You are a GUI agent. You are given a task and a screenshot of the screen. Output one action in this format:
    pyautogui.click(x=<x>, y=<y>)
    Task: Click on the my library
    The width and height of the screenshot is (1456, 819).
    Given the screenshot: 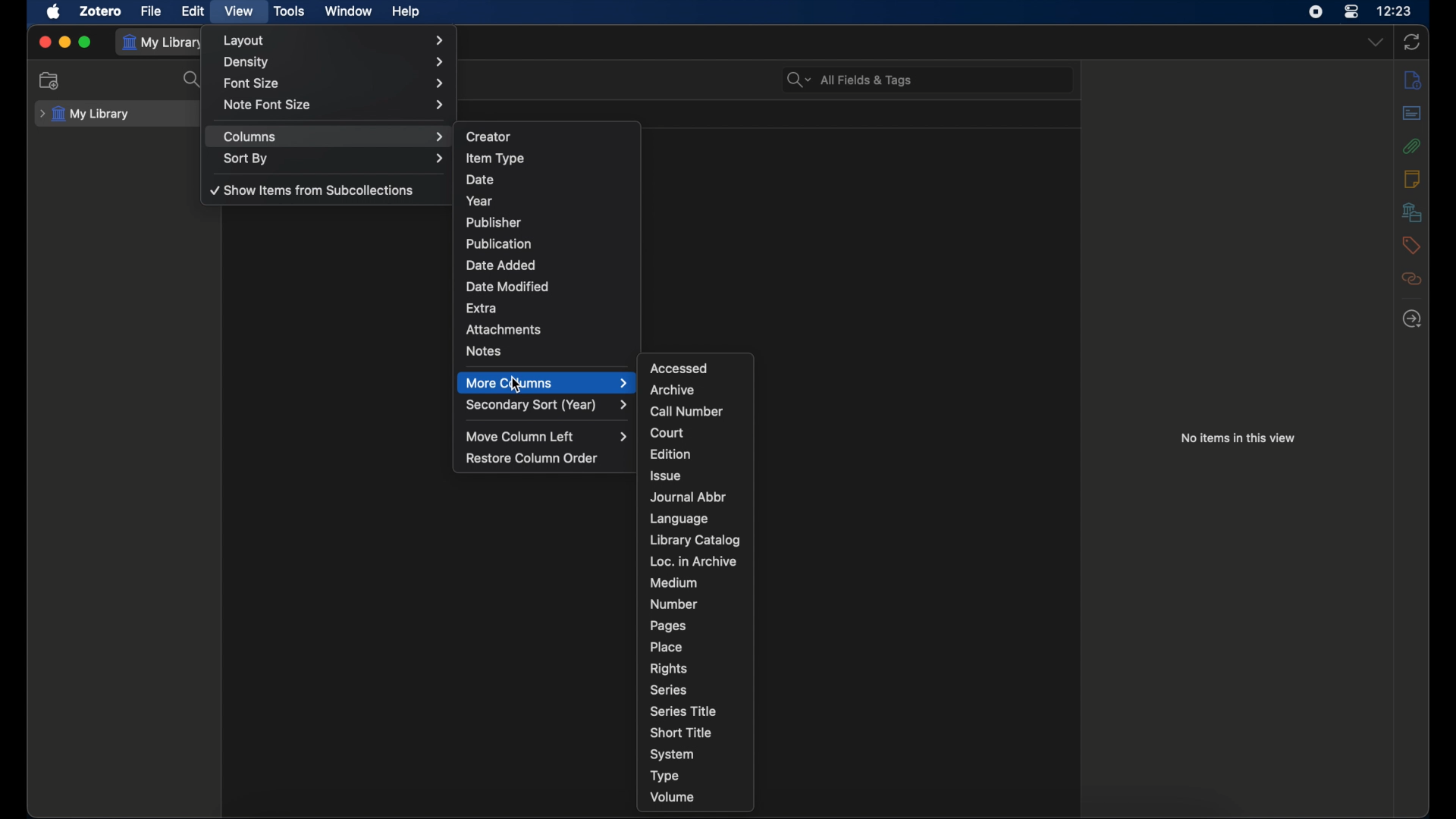 What is the action you would take?
    pyautogui.click(x=85, y=115)
    